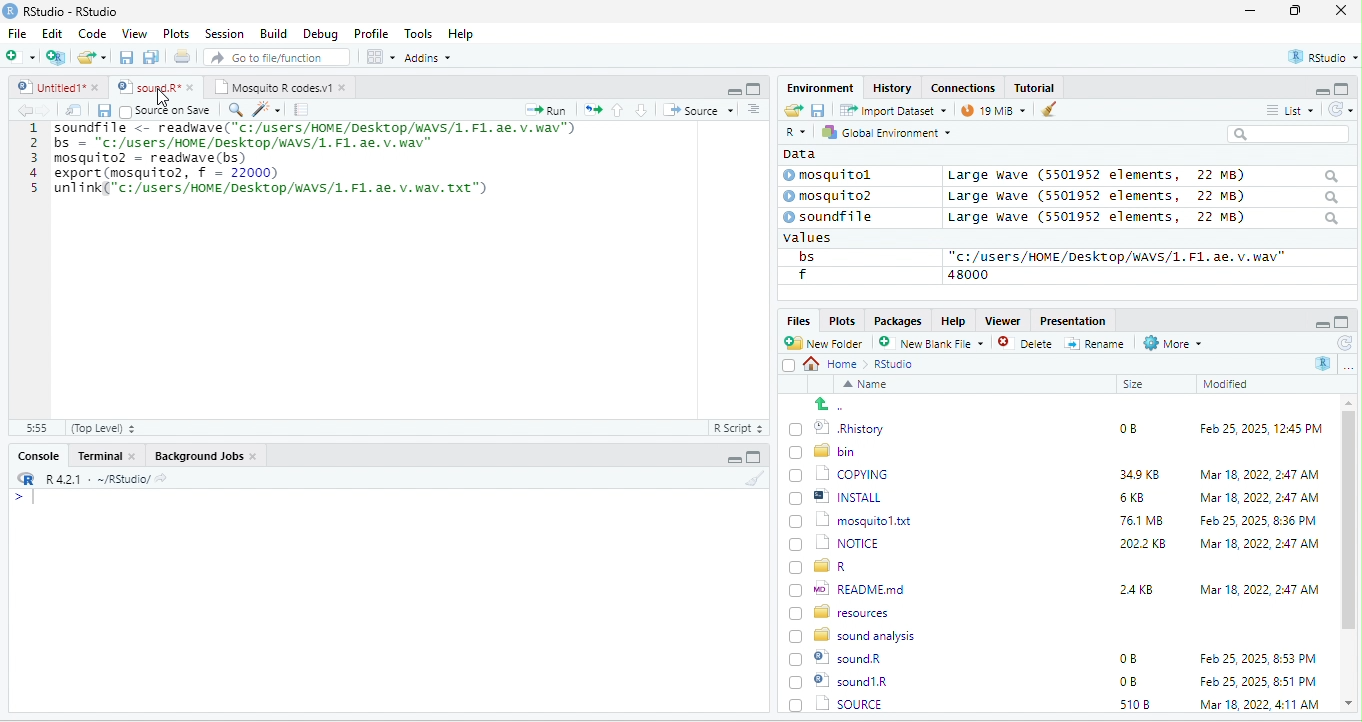 This screenshot has height=722, width=1362. Describe the element at coordinates (838, 426) in the screenshot. I see `© Rhistory` at that location.